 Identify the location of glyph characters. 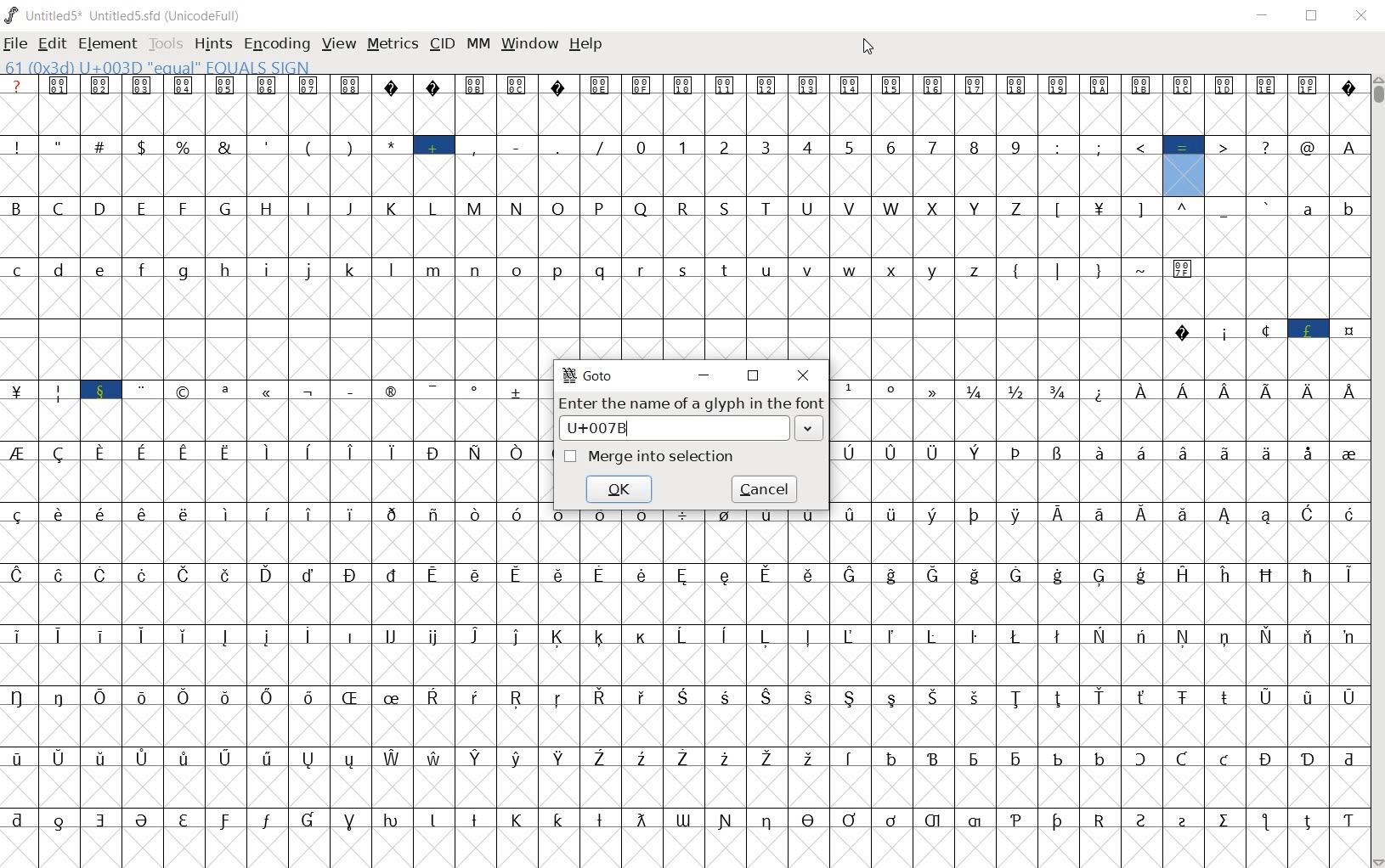
(953, 703).